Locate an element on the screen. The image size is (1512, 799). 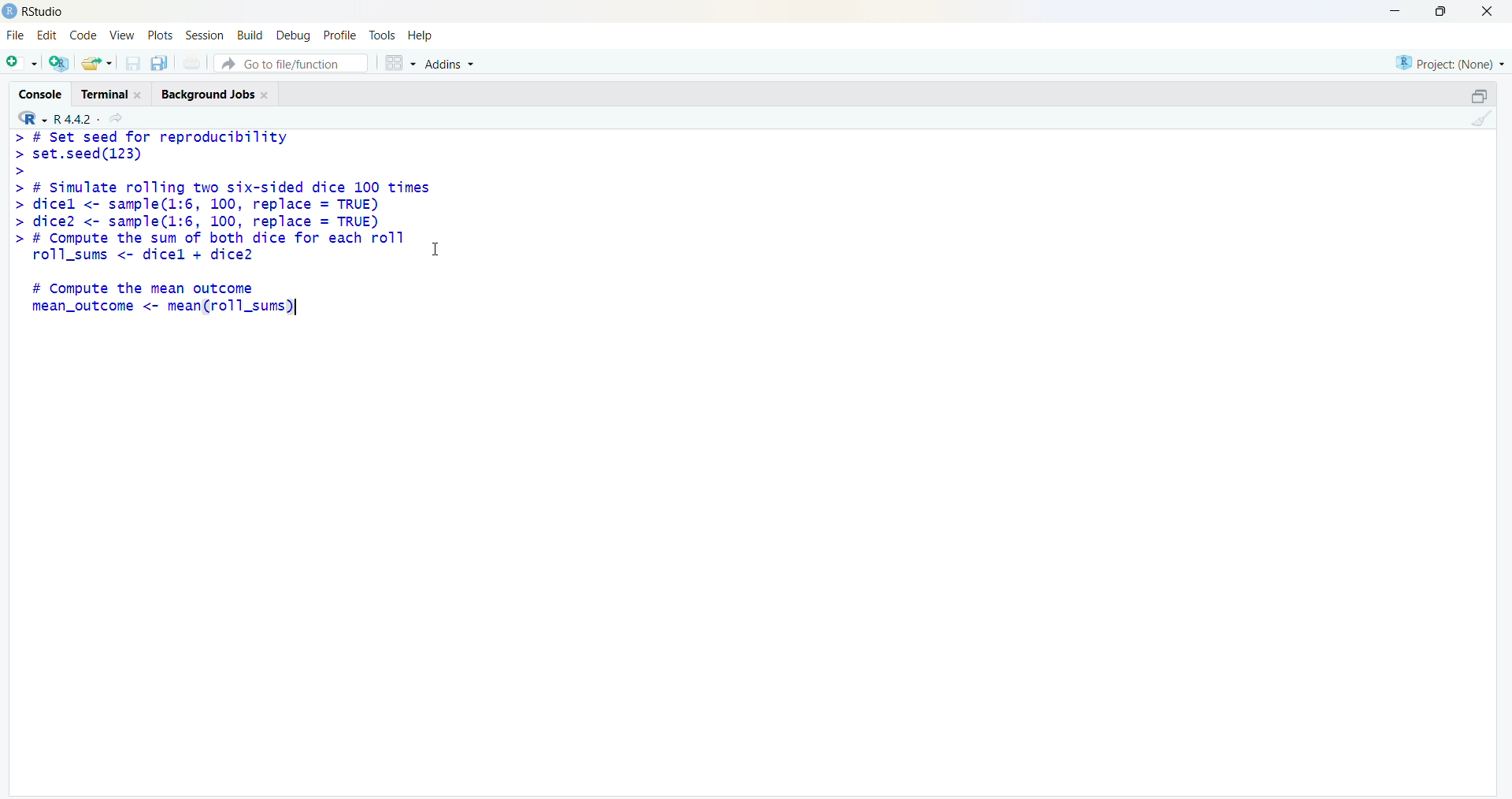
plots is located at coordinates (161, 34).